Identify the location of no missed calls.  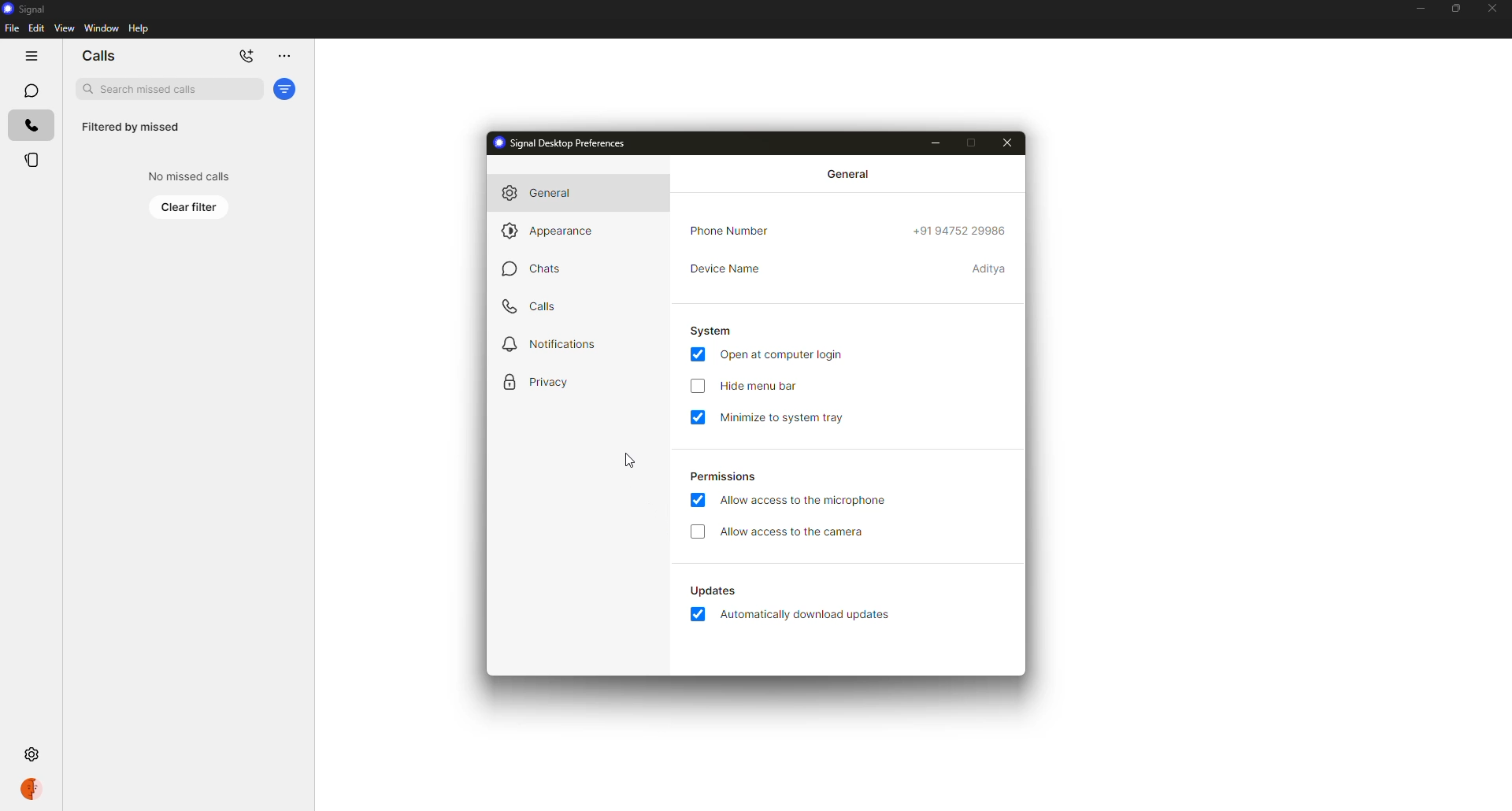
(186, 176).